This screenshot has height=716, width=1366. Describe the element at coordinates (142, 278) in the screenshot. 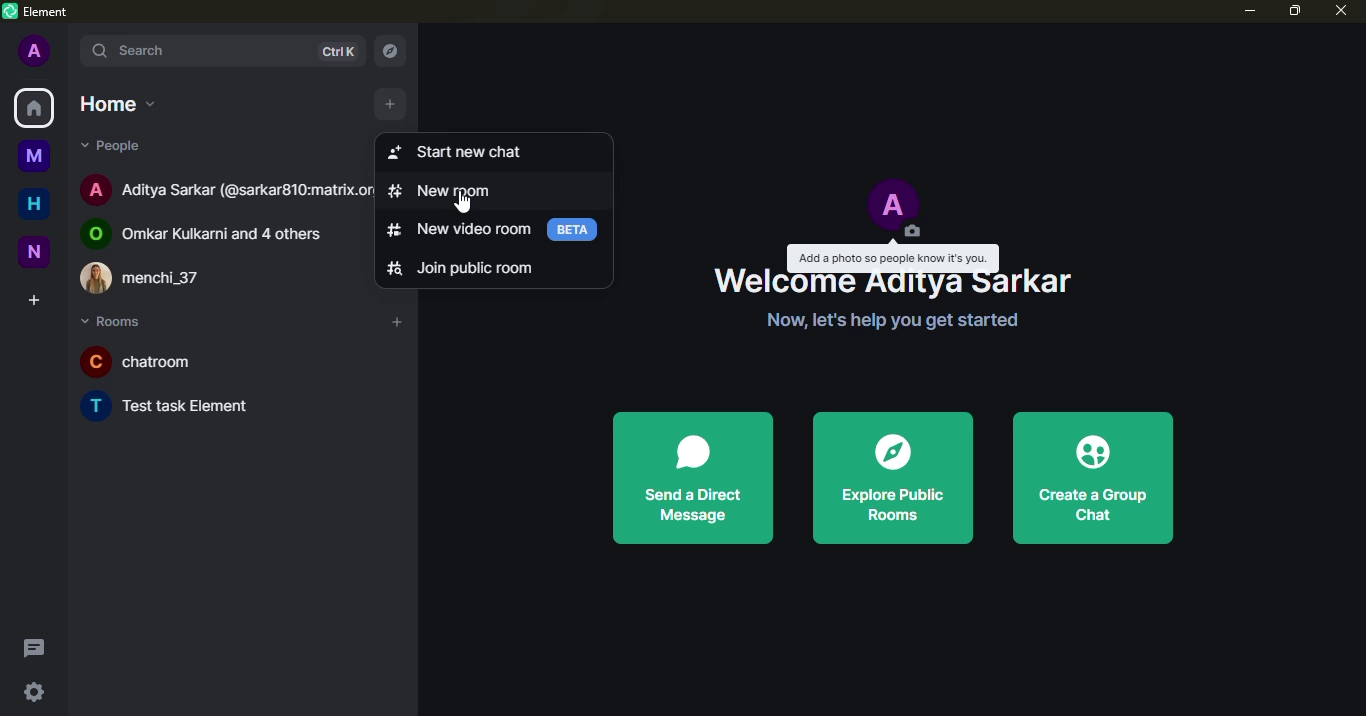

I see `menchi_37` at that location.